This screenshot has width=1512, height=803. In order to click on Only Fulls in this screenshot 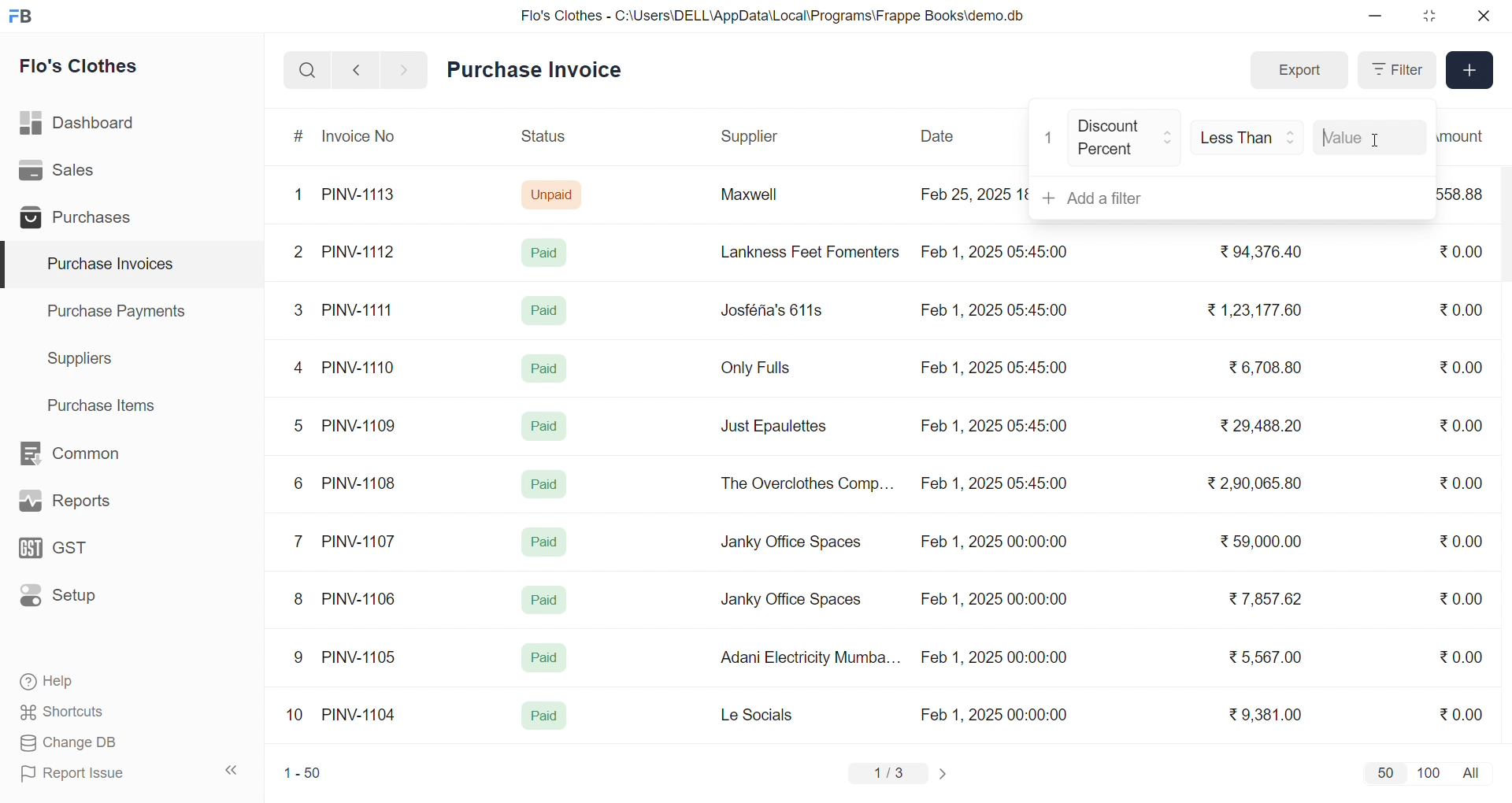, I will do `click(762, 372)`.